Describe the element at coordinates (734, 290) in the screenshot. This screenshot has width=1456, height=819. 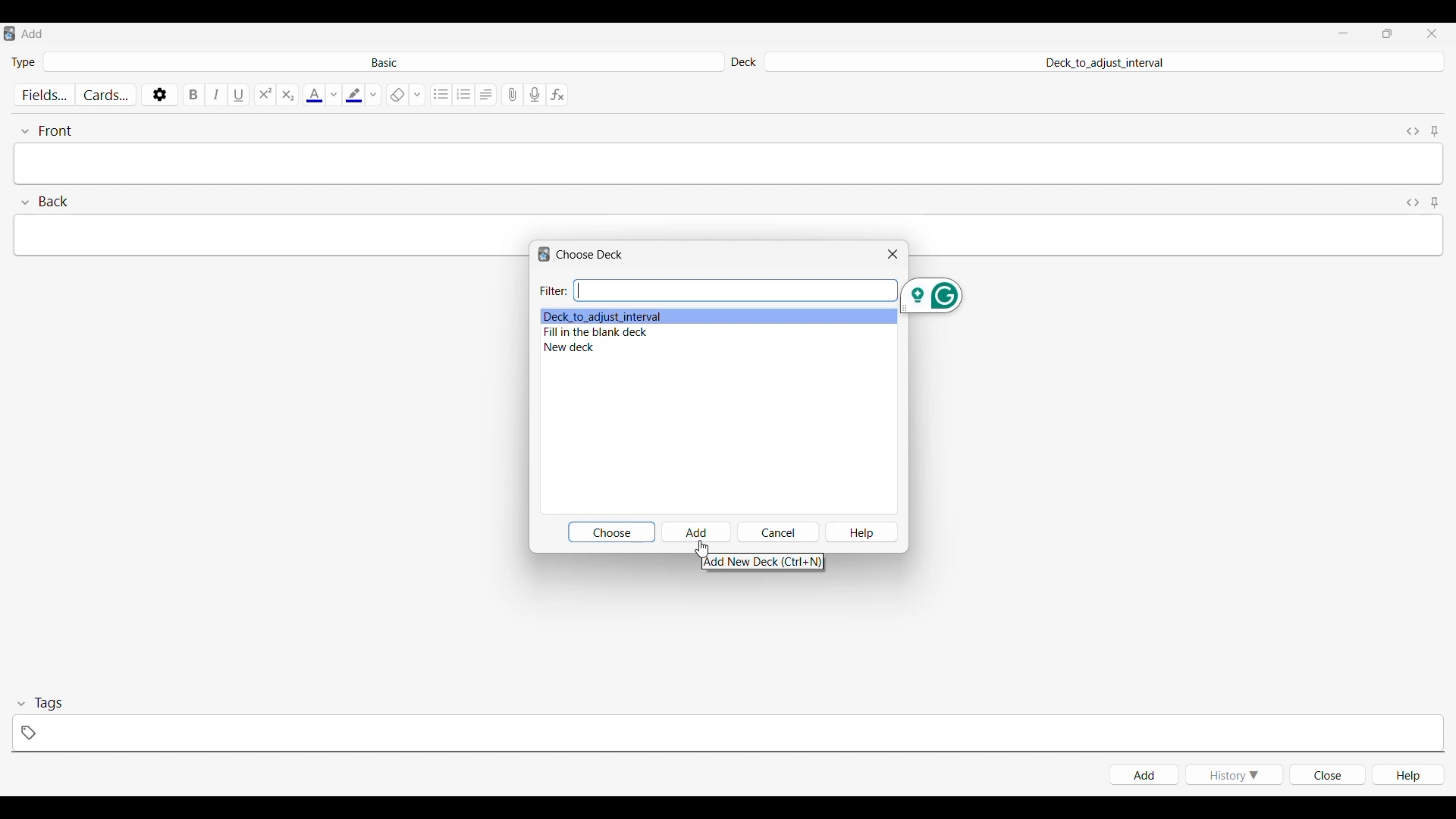
I see `Type in filter` at that location.